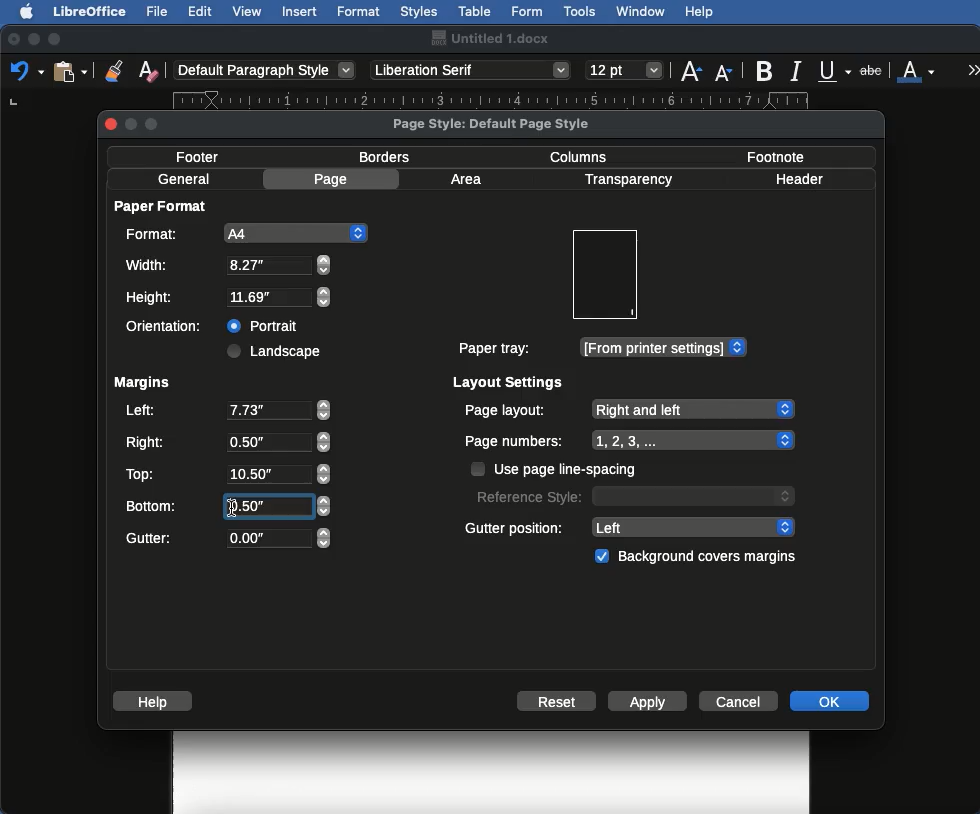 The width and height of the screenshot is (980, 814). I want to click on General, so click(184, 179).